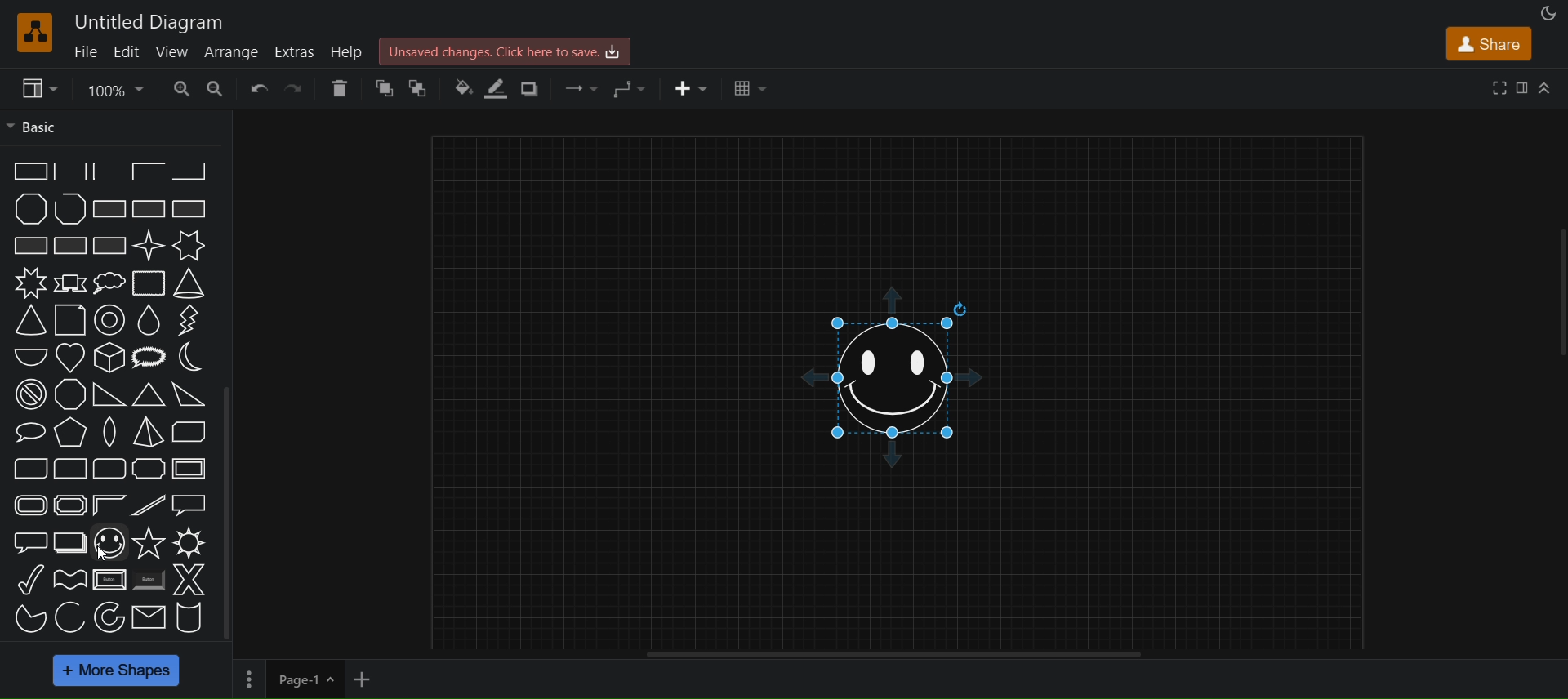 This screenshot has height=699, width=1568. What do you see at coordinates (31, 209) in the screenshot?
I see `polygon` at bounding box center [31, 209].